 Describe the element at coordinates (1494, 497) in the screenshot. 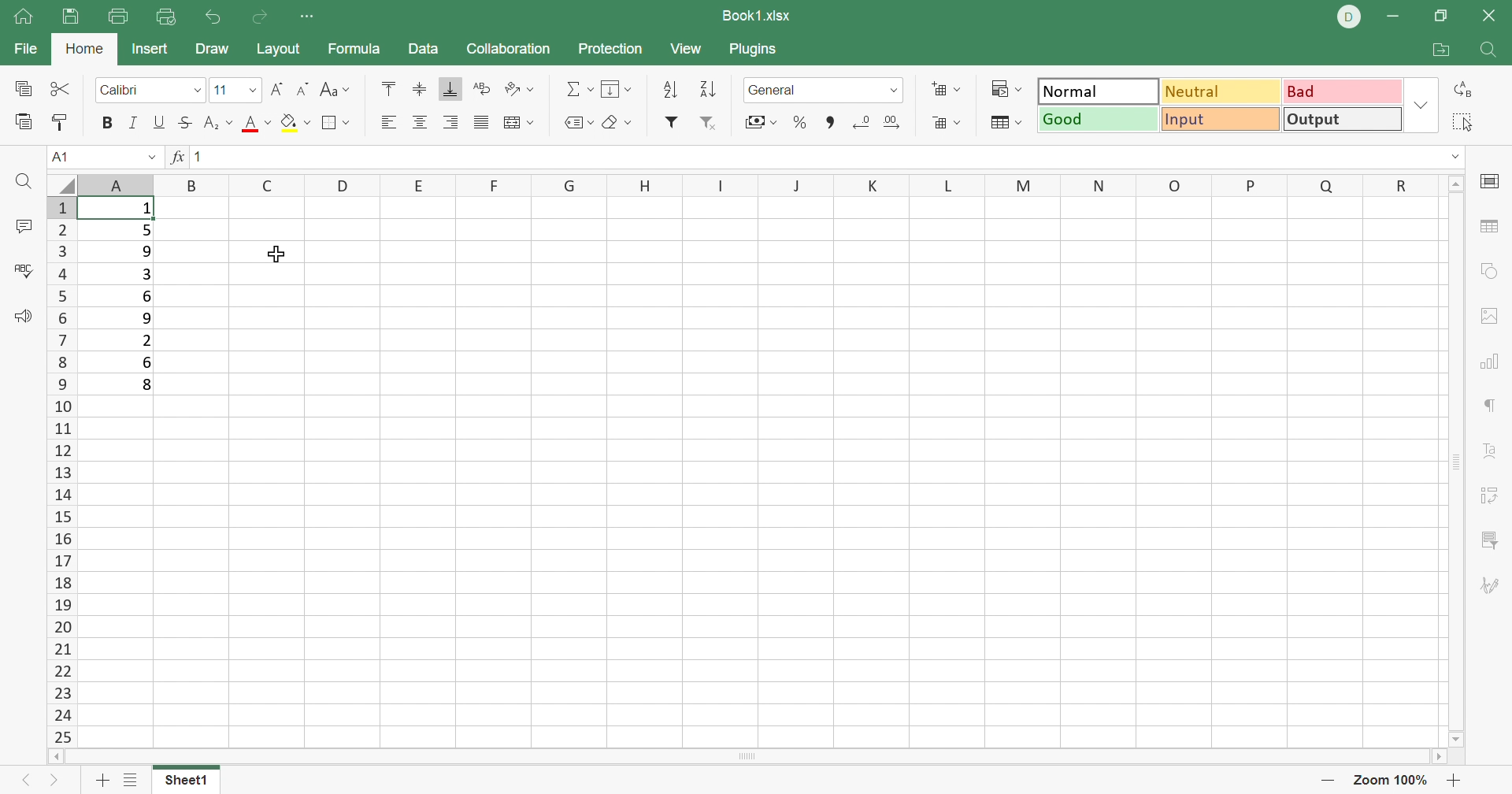

I see `Pivot Table settings` at that location.